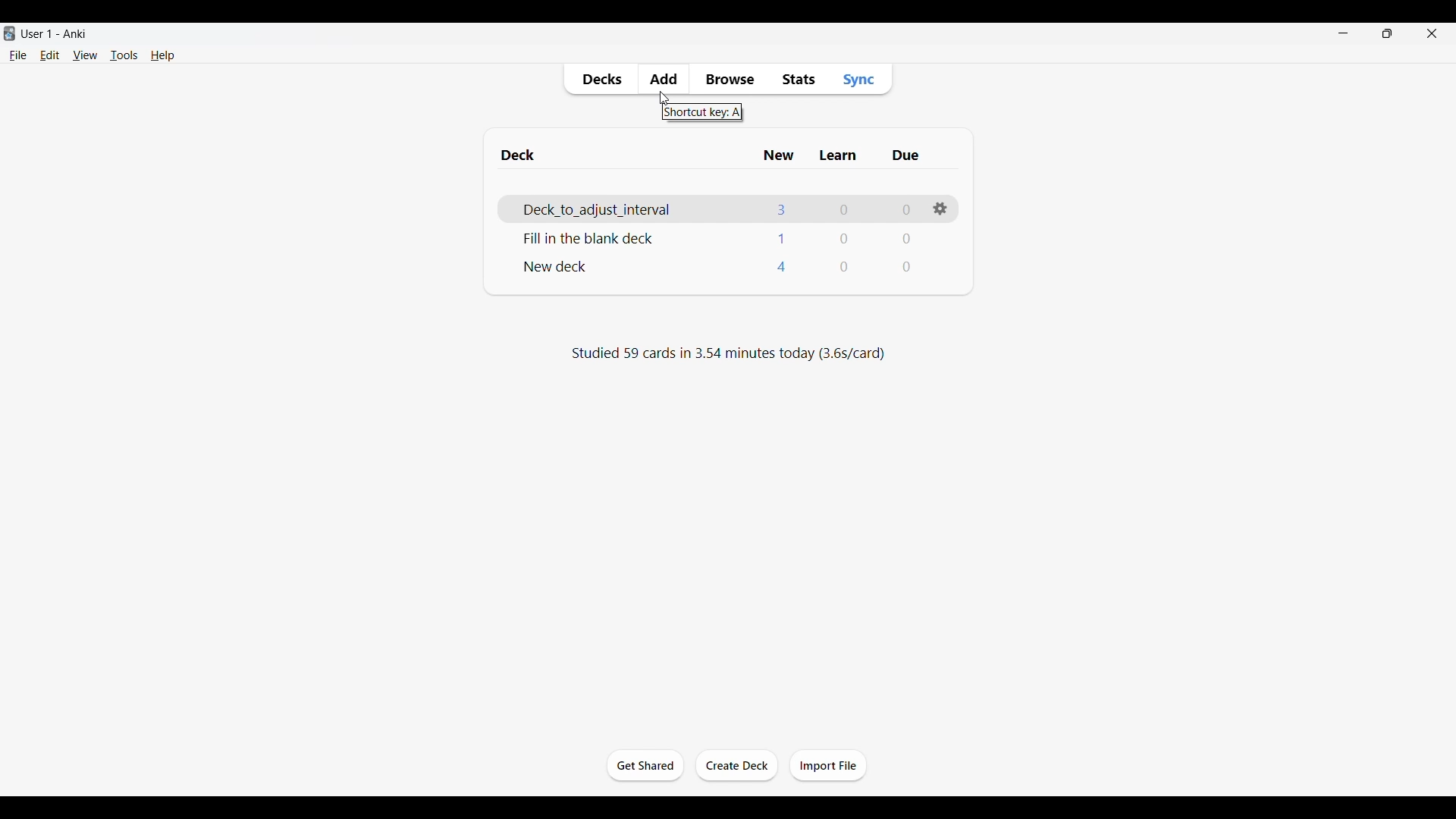  Describe the element at coordinates (905, 155) in the screenshot. I see `Due column` at that location.